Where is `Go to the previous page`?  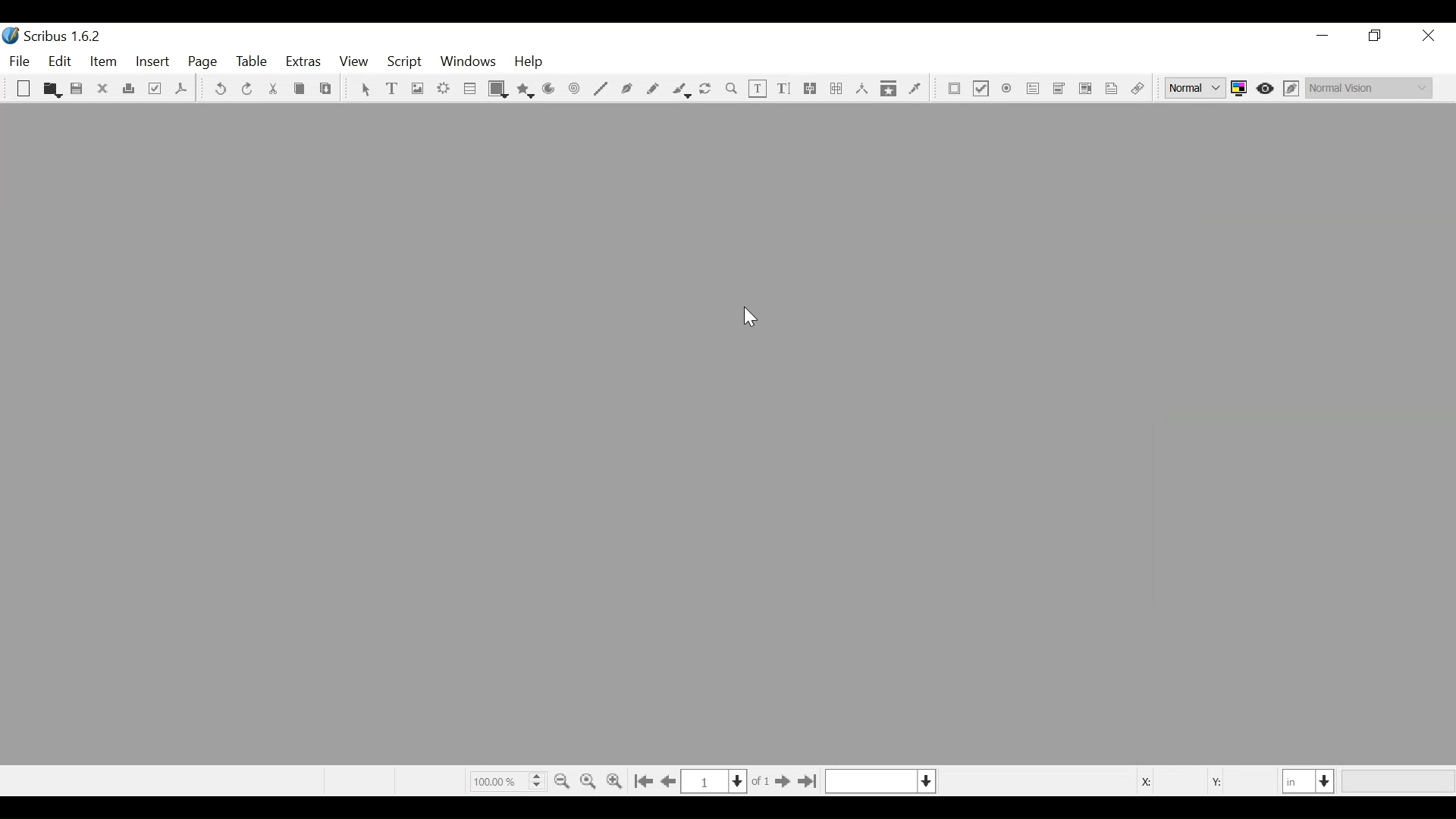 Go to the previous page is located at coordinates (671, 782).